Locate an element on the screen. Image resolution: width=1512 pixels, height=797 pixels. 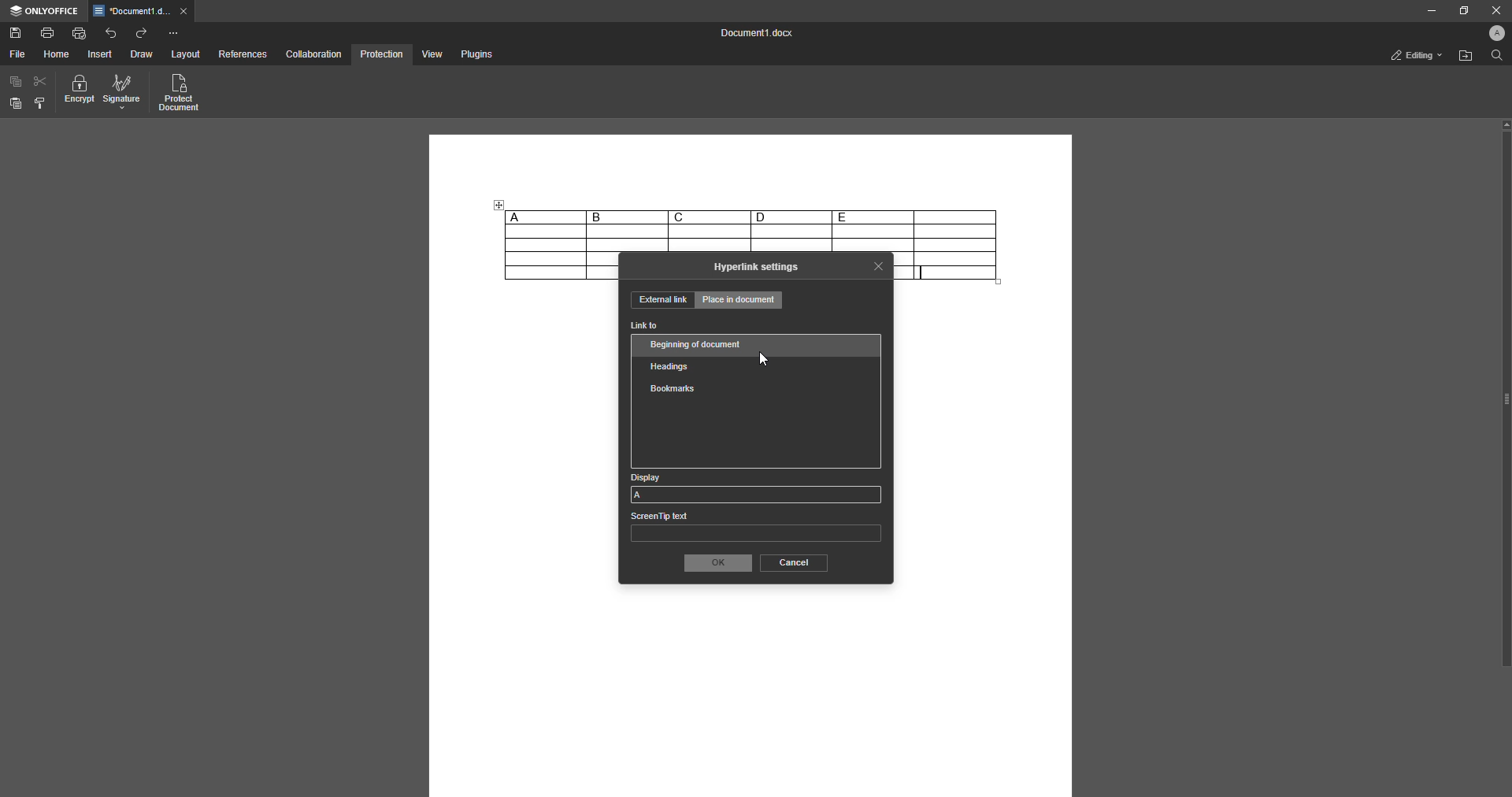
New folder is located at coordinates (1463, 57).